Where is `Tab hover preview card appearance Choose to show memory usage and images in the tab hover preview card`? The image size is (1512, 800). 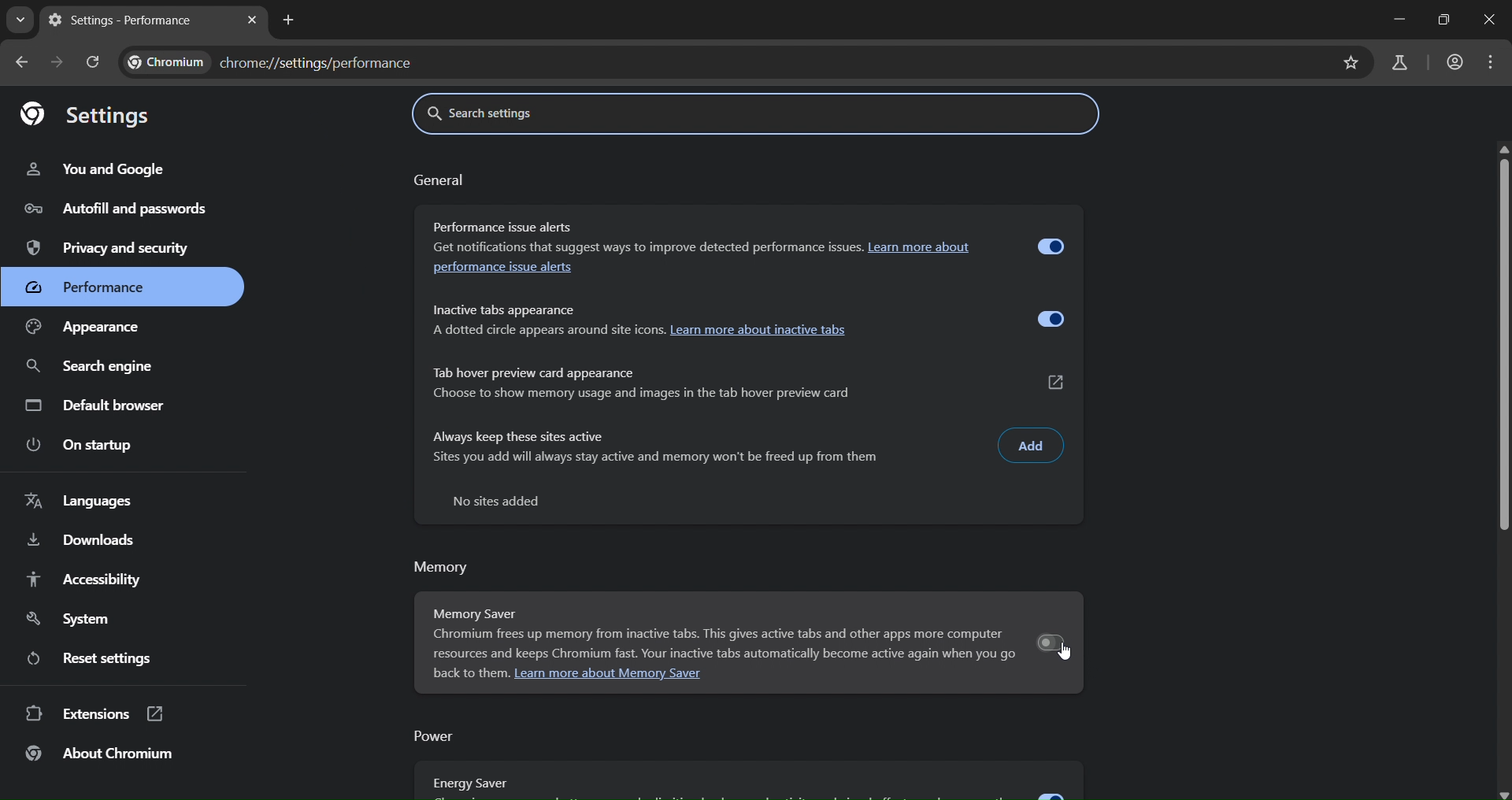
Tab hover preview card appearance Choose to show memory usage and images in the tab hover preview card is located at coordinates (681, 383).